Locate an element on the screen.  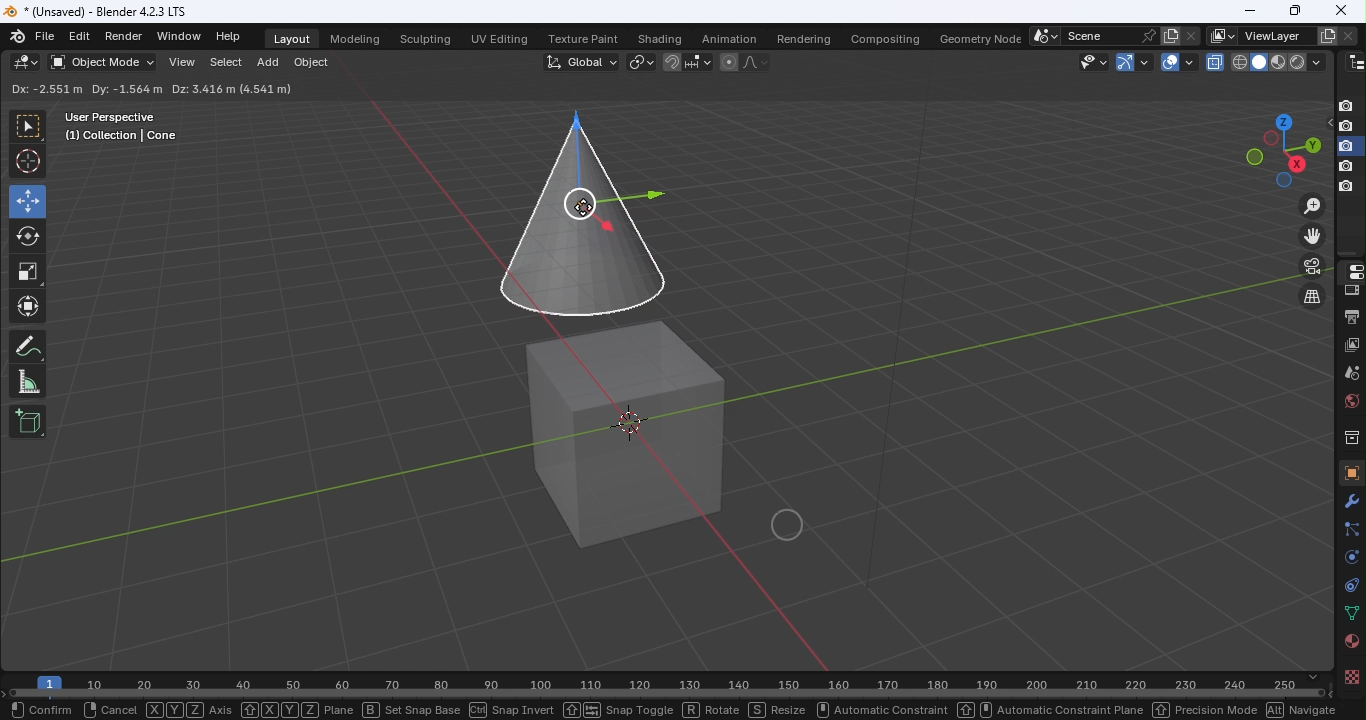
Roatate is located at coordinates (28, 234).